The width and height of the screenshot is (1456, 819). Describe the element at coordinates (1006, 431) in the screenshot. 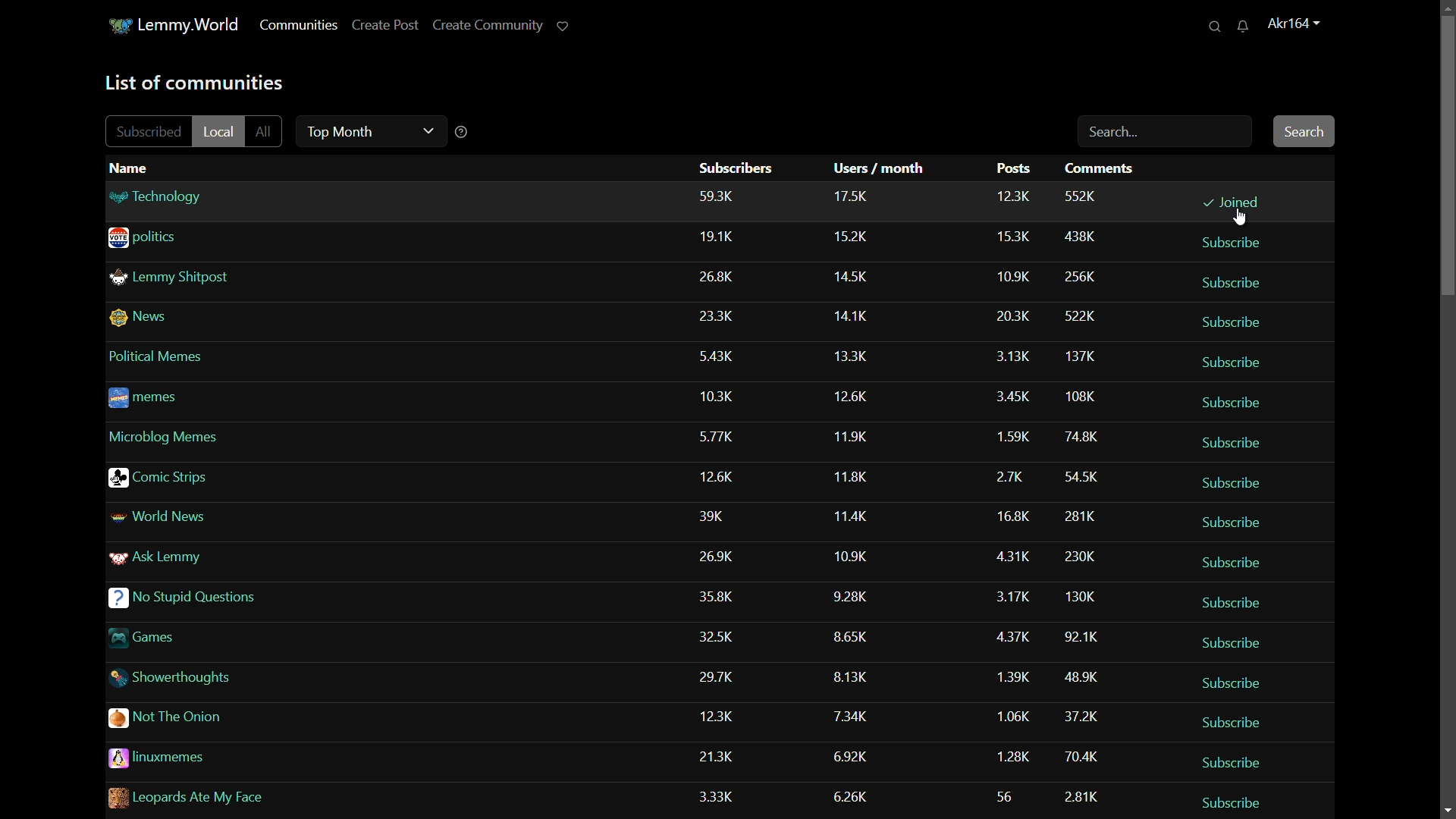

I see `posts` at that location.